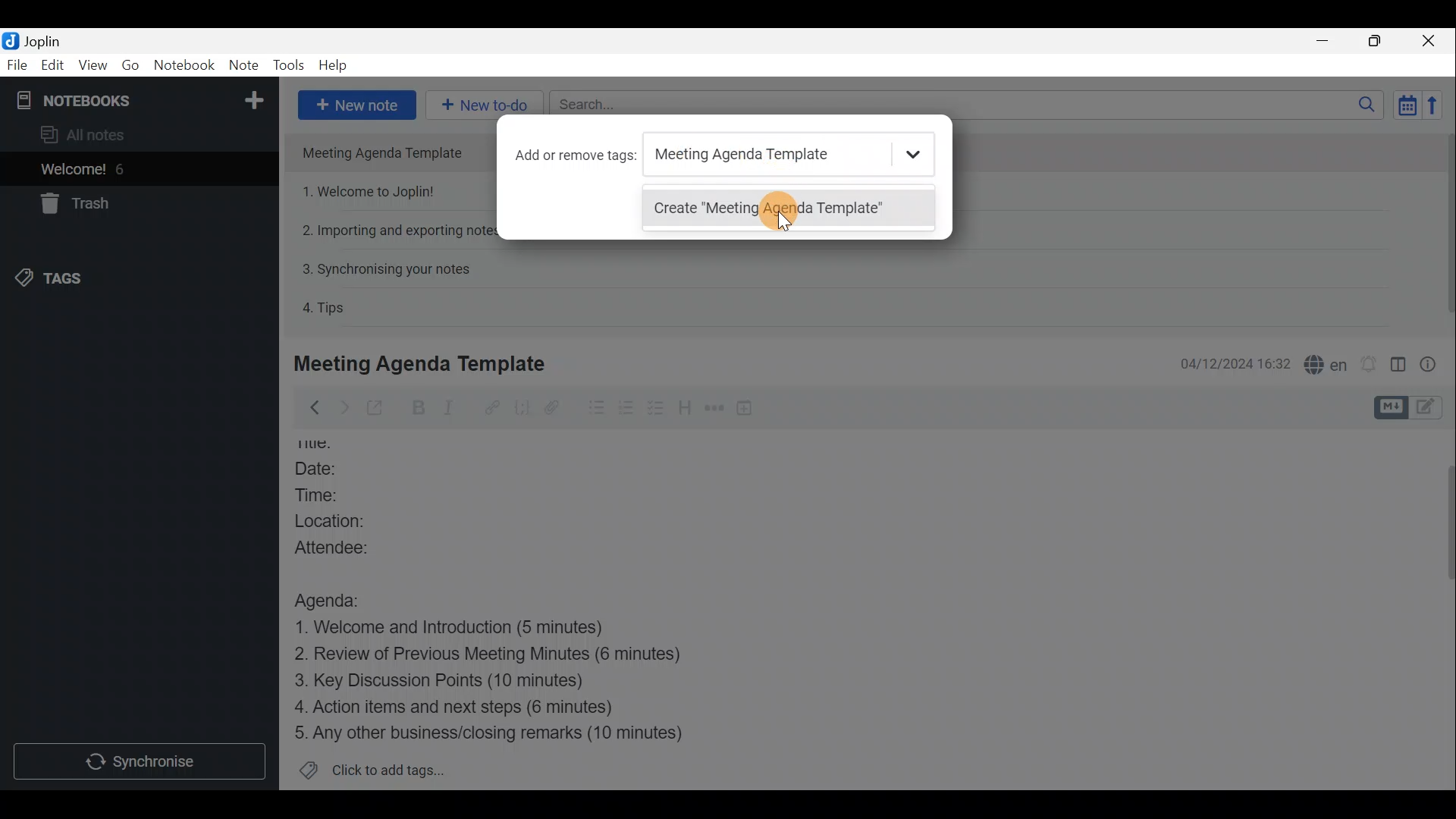 The width and height of the screenshot is (1456, 819). Describe the element at coordinates (130, 64) in the screenshot. I see `Go` at that location.